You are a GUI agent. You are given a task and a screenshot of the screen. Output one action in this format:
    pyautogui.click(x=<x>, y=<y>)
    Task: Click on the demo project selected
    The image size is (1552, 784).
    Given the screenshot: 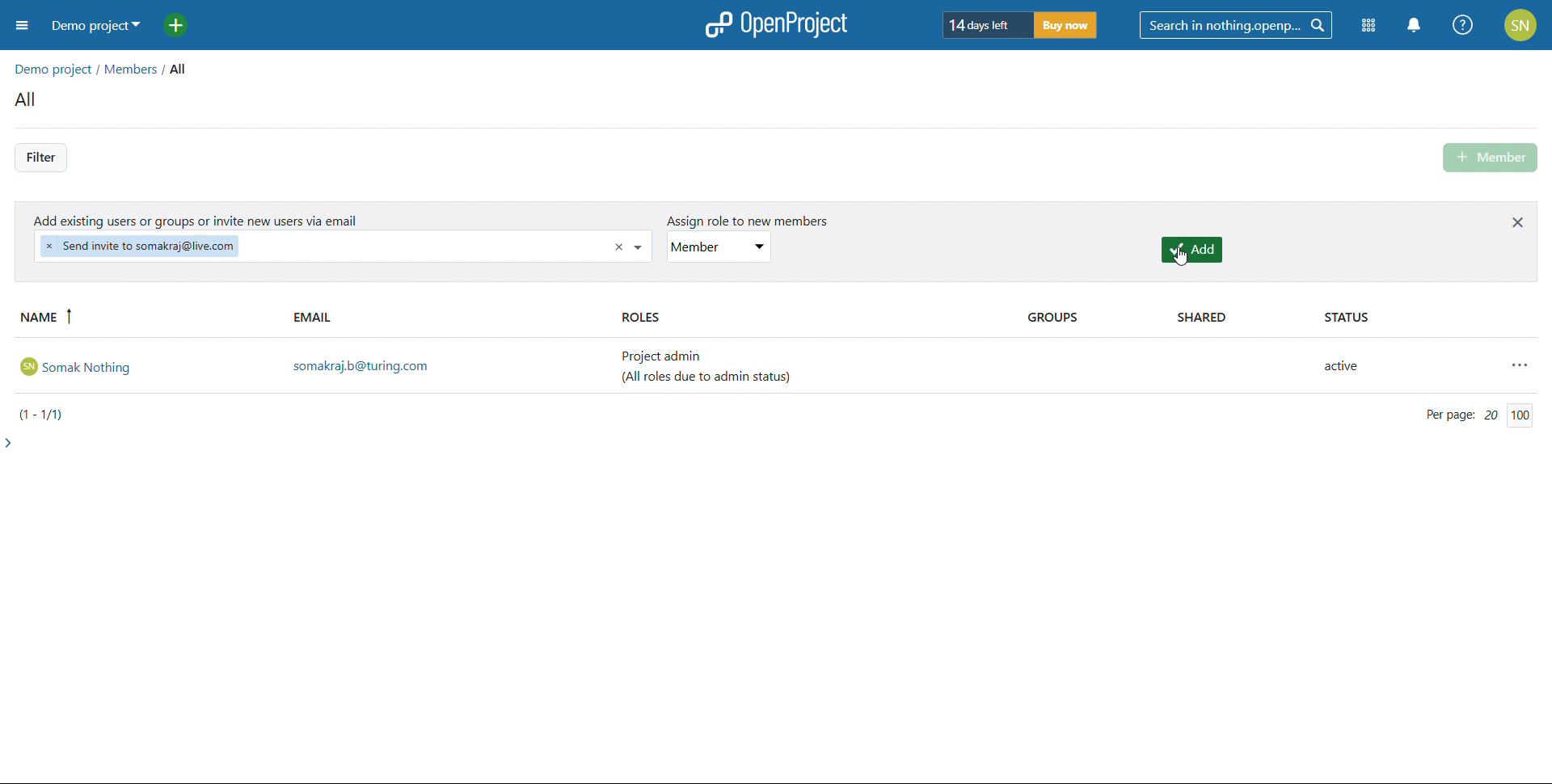 What is the action you would take?
    pyautogui.click(x=91, y=26)
    